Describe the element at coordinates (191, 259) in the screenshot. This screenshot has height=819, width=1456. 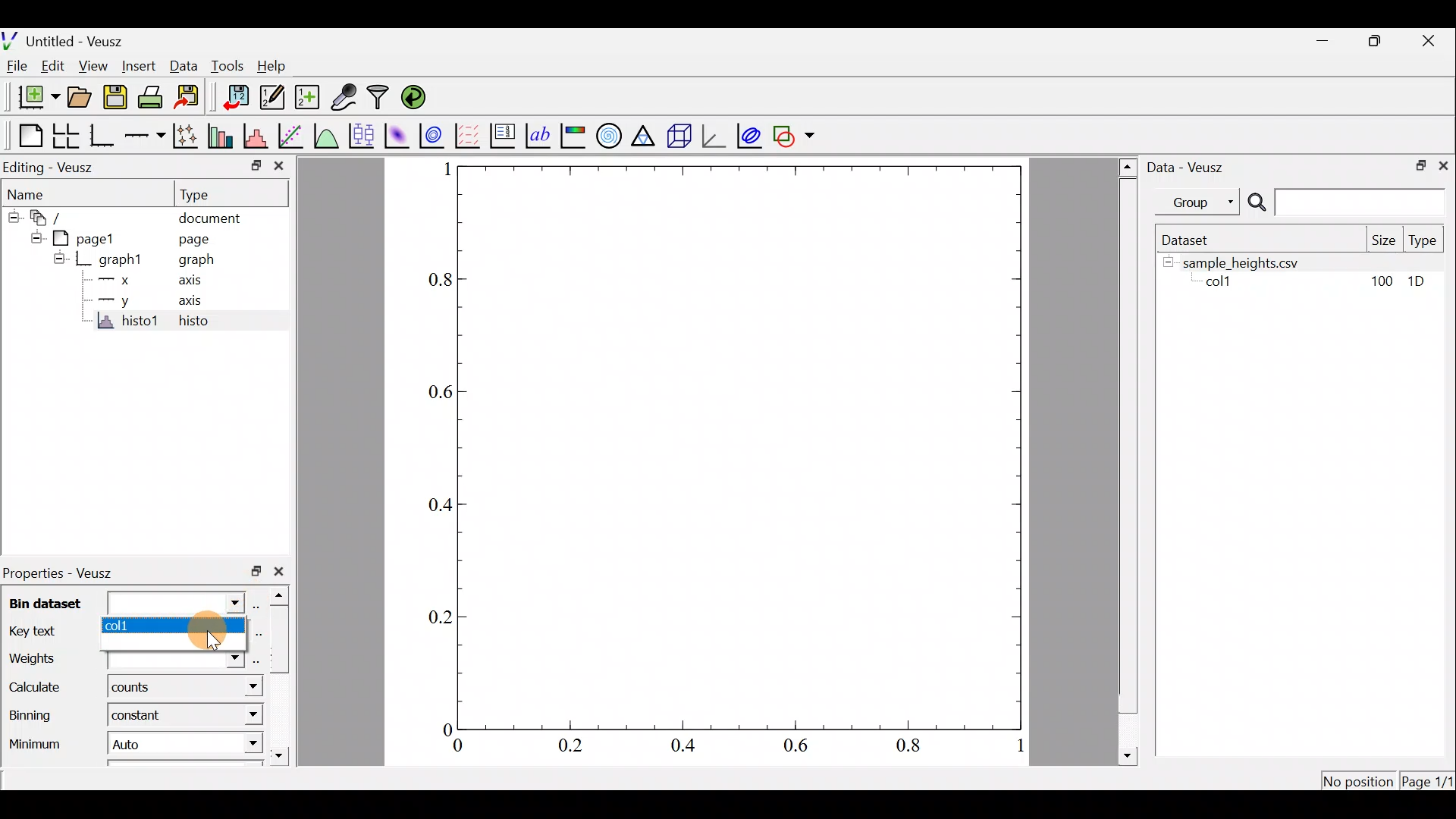
I see `graph` at that location.